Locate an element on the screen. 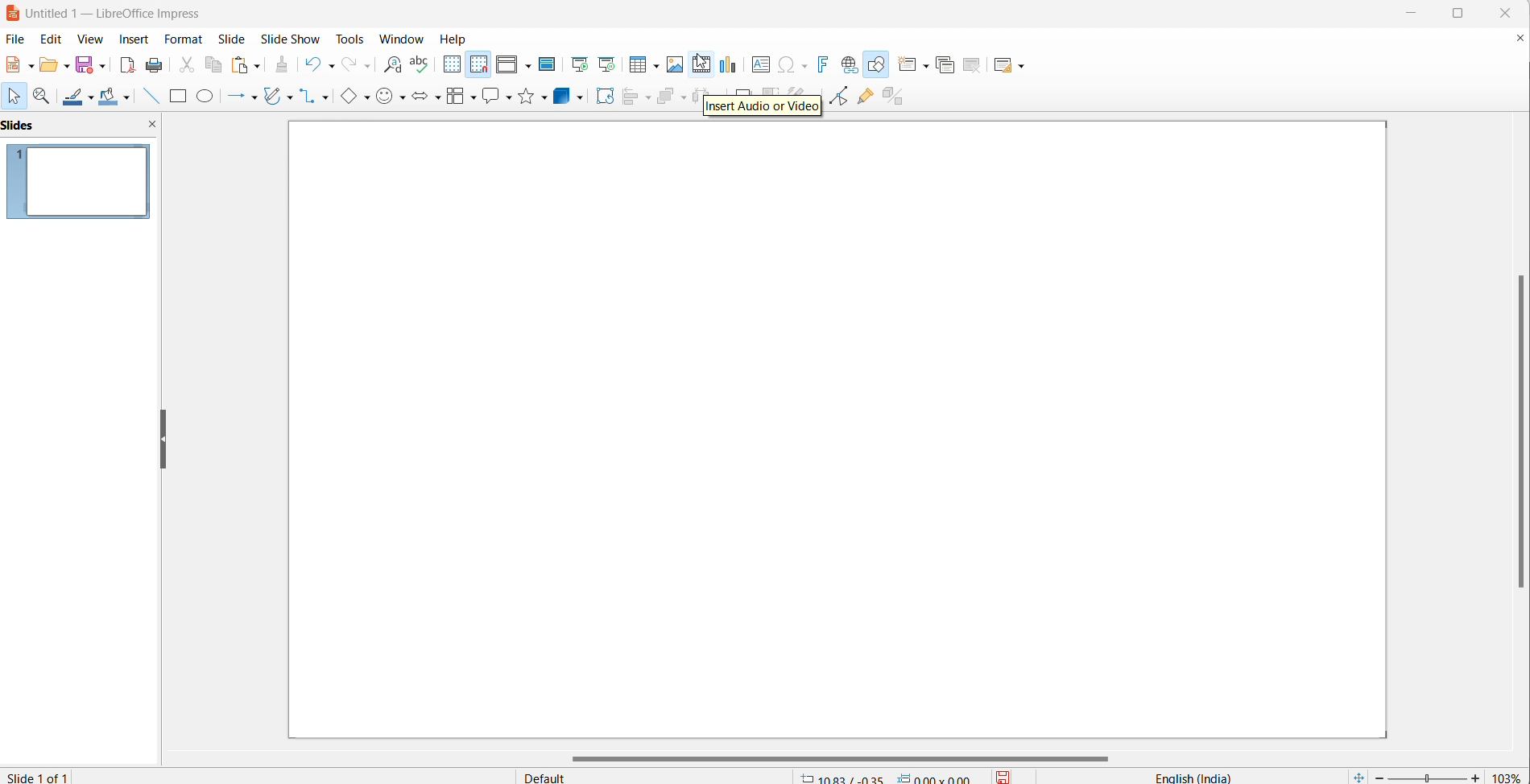 The width and height of the screenshot is (1530, 784). minimize is located at coordinates (1407, 12).